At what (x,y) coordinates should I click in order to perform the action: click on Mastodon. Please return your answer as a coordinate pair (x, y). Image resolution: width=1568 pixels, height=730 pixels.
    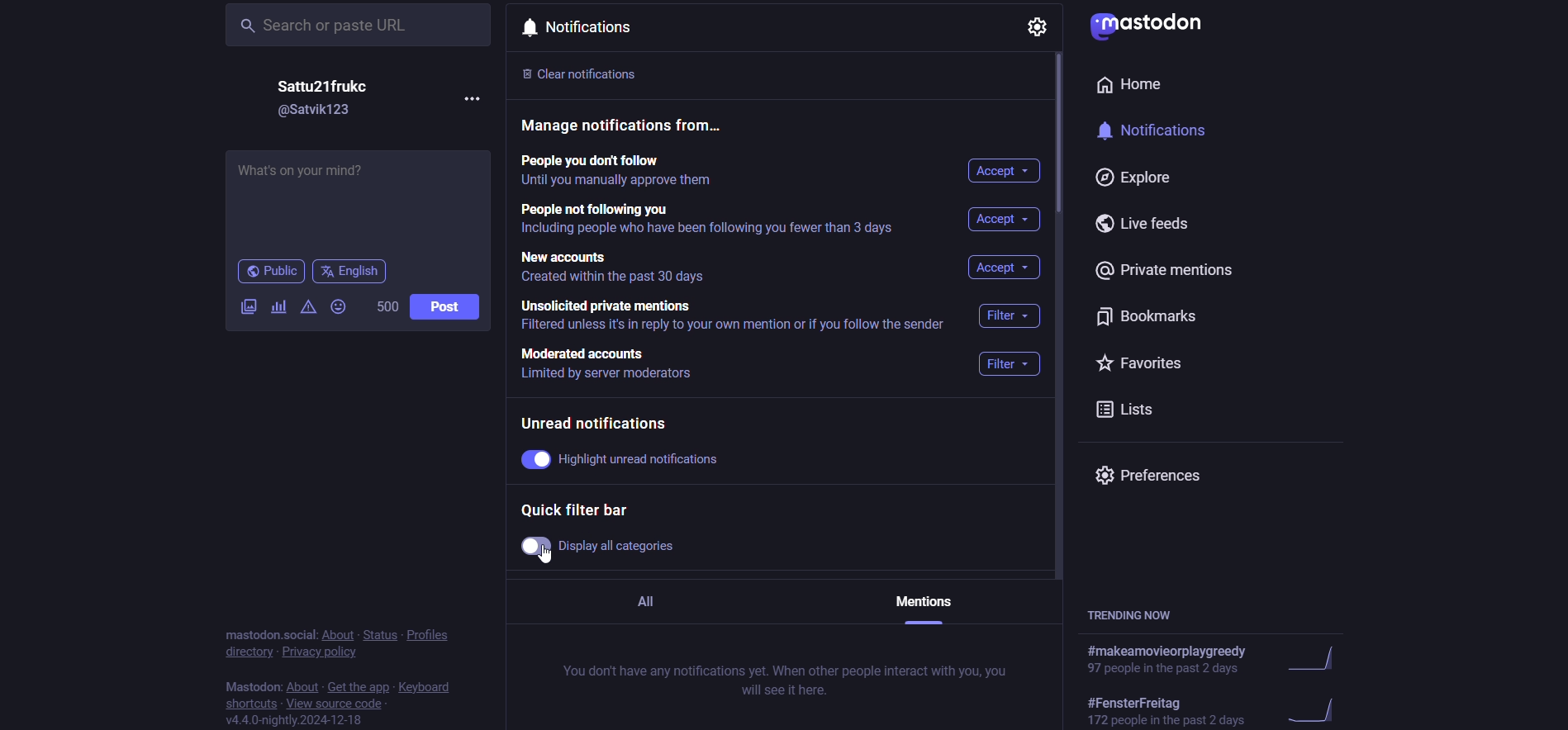
    Looking at the image, I should click on (250, 687).